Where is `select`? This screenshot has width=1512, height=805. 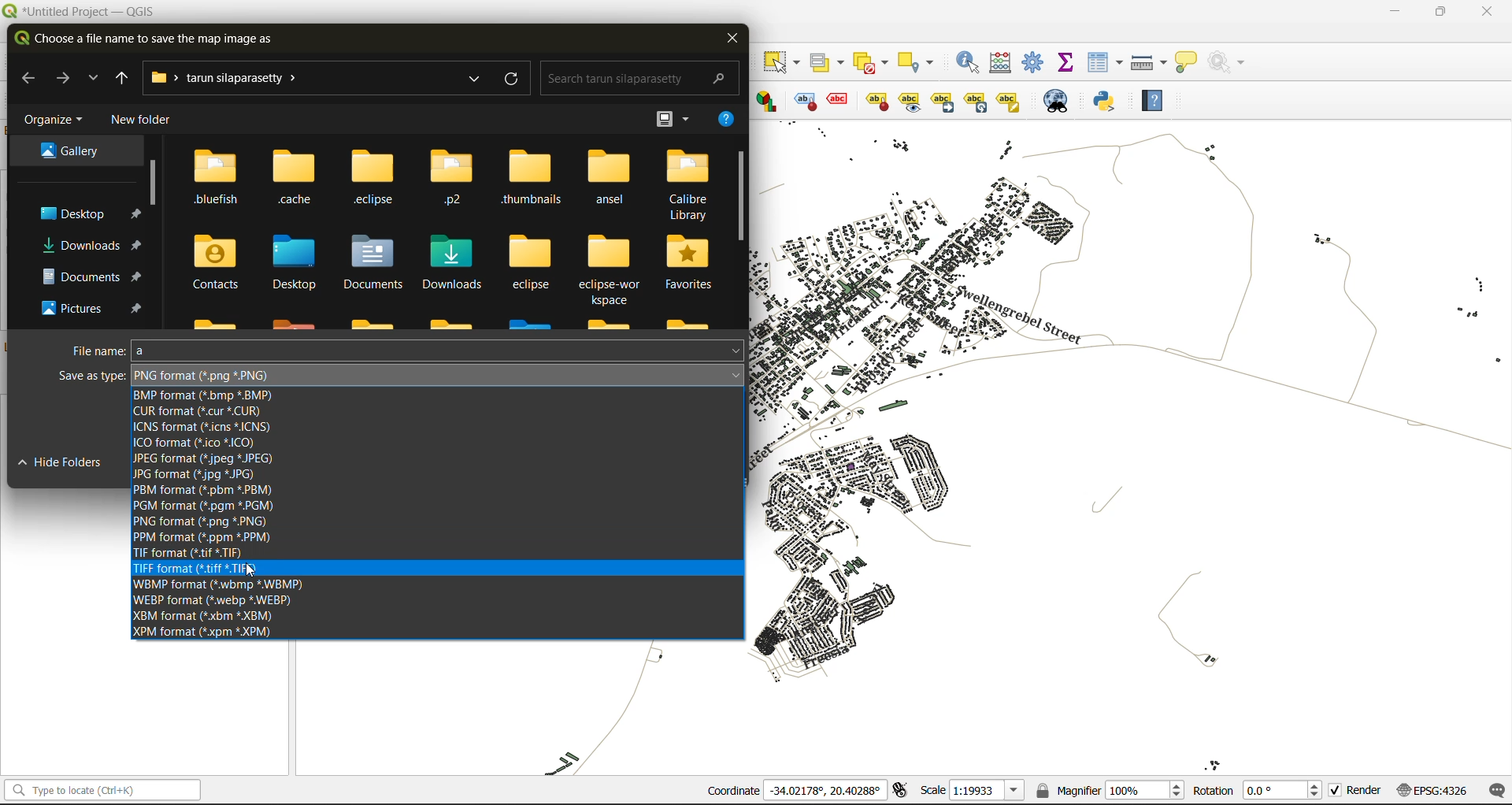 select is located at coordinates (784, 62).